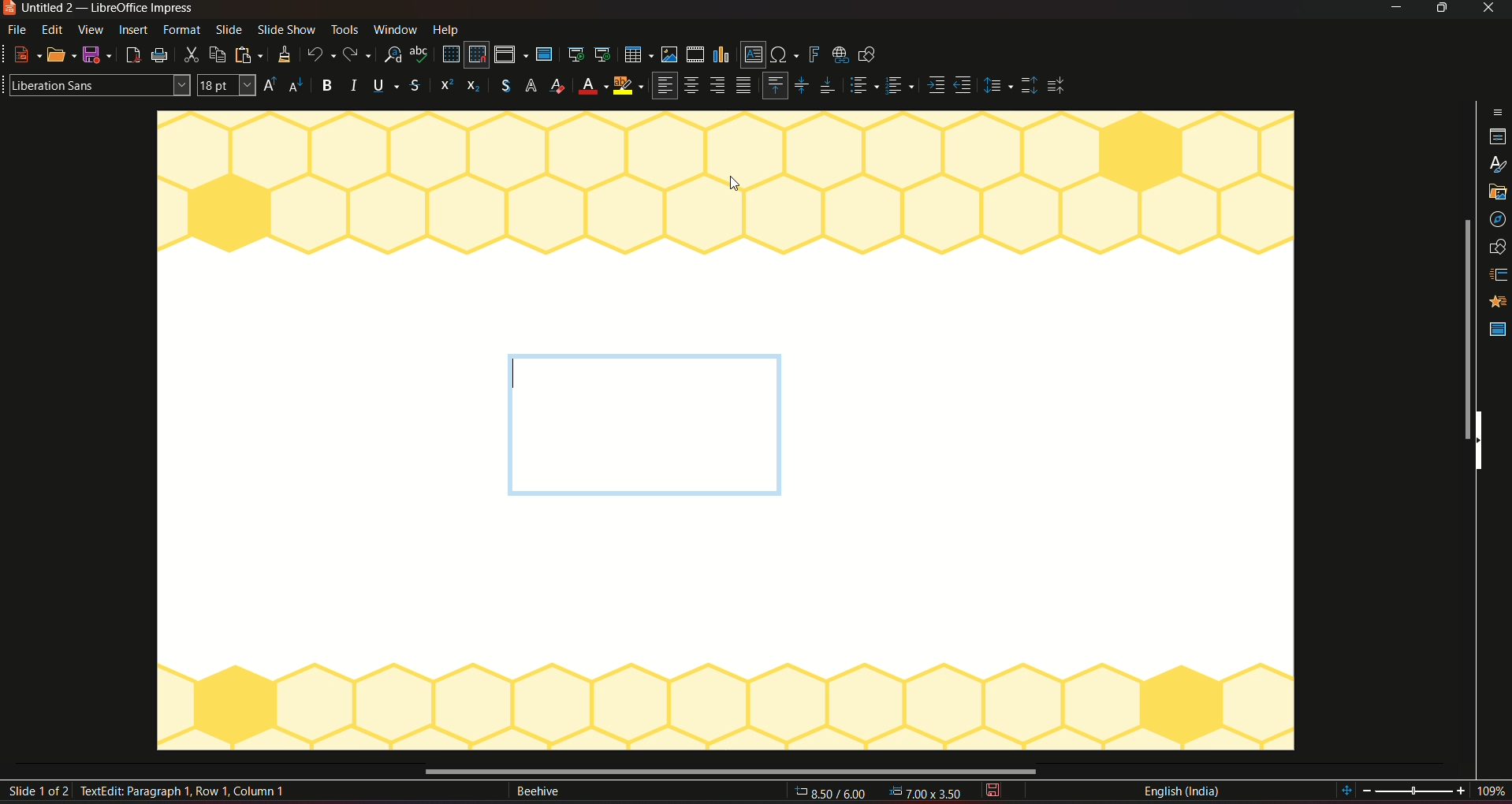 This screenshot has height=804, width=1512. Describe the element at coordinates (575, 54) in the screenshot. I see `start from first slide` at that location.